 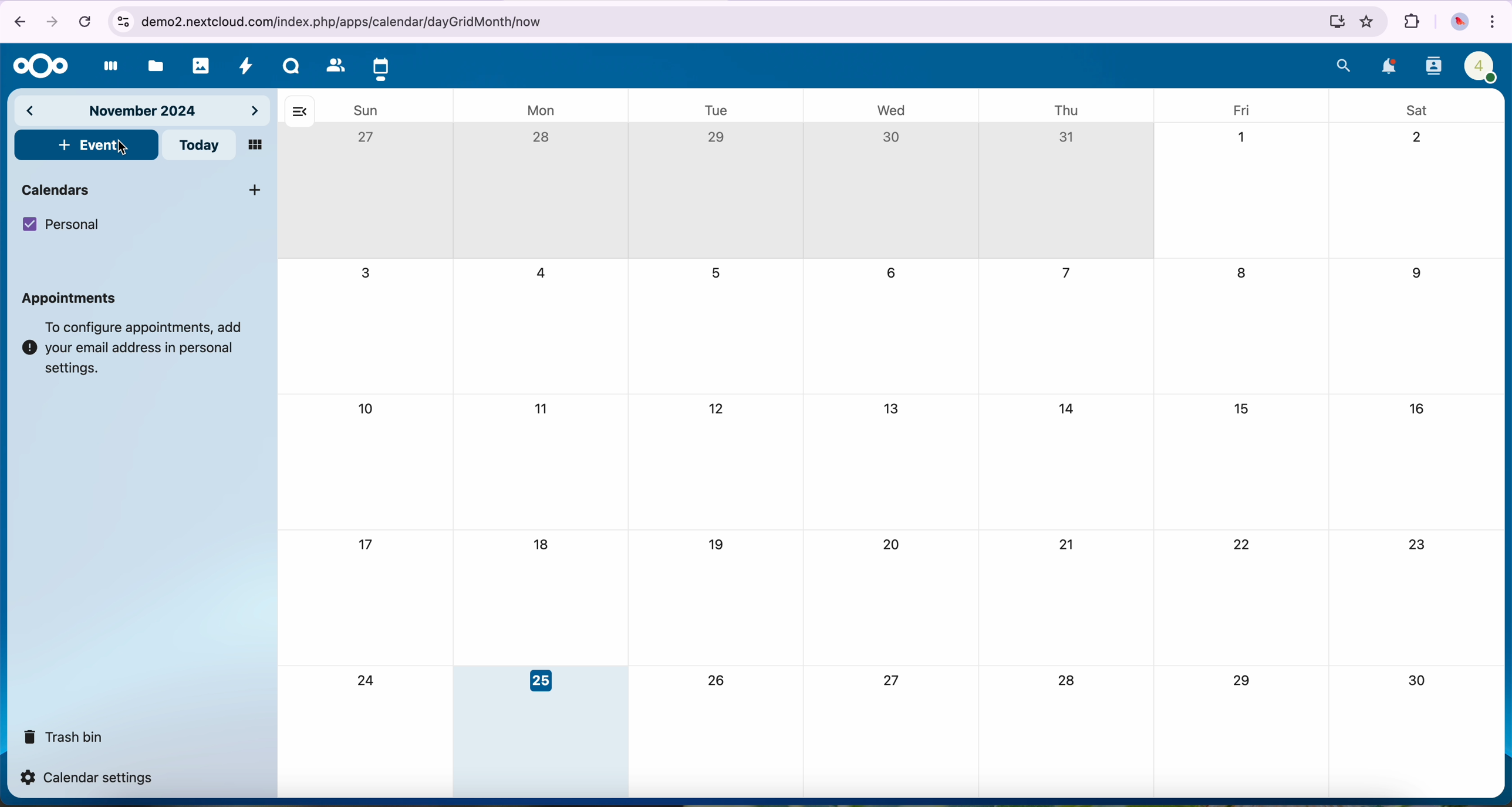 I want to click on 3, so click(x=366, y=271).